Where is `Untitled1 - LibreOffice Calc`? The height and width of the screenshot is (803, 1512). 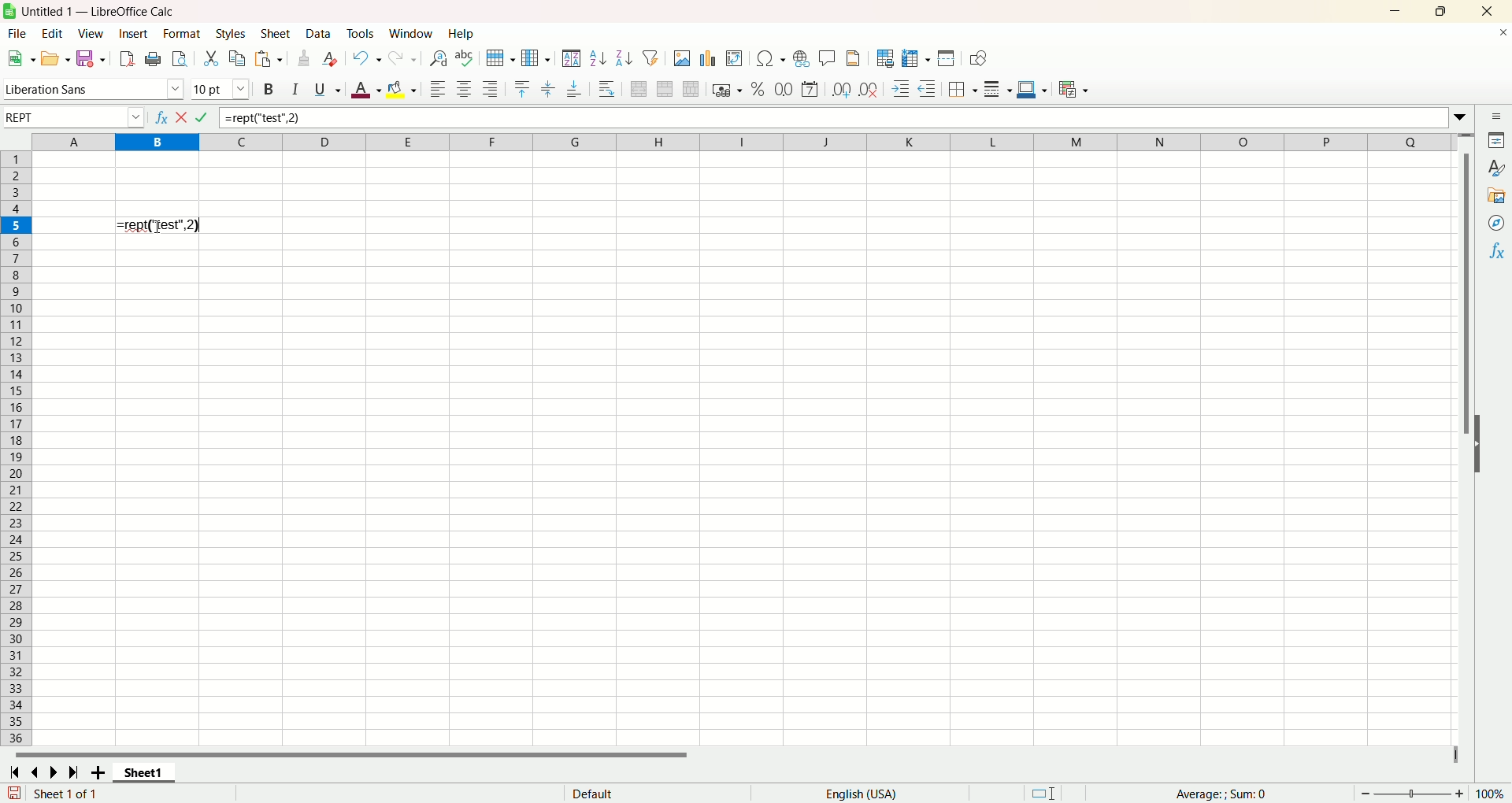 Untitled1 - LibreOffice Calc is located at coordinates (96, 11).